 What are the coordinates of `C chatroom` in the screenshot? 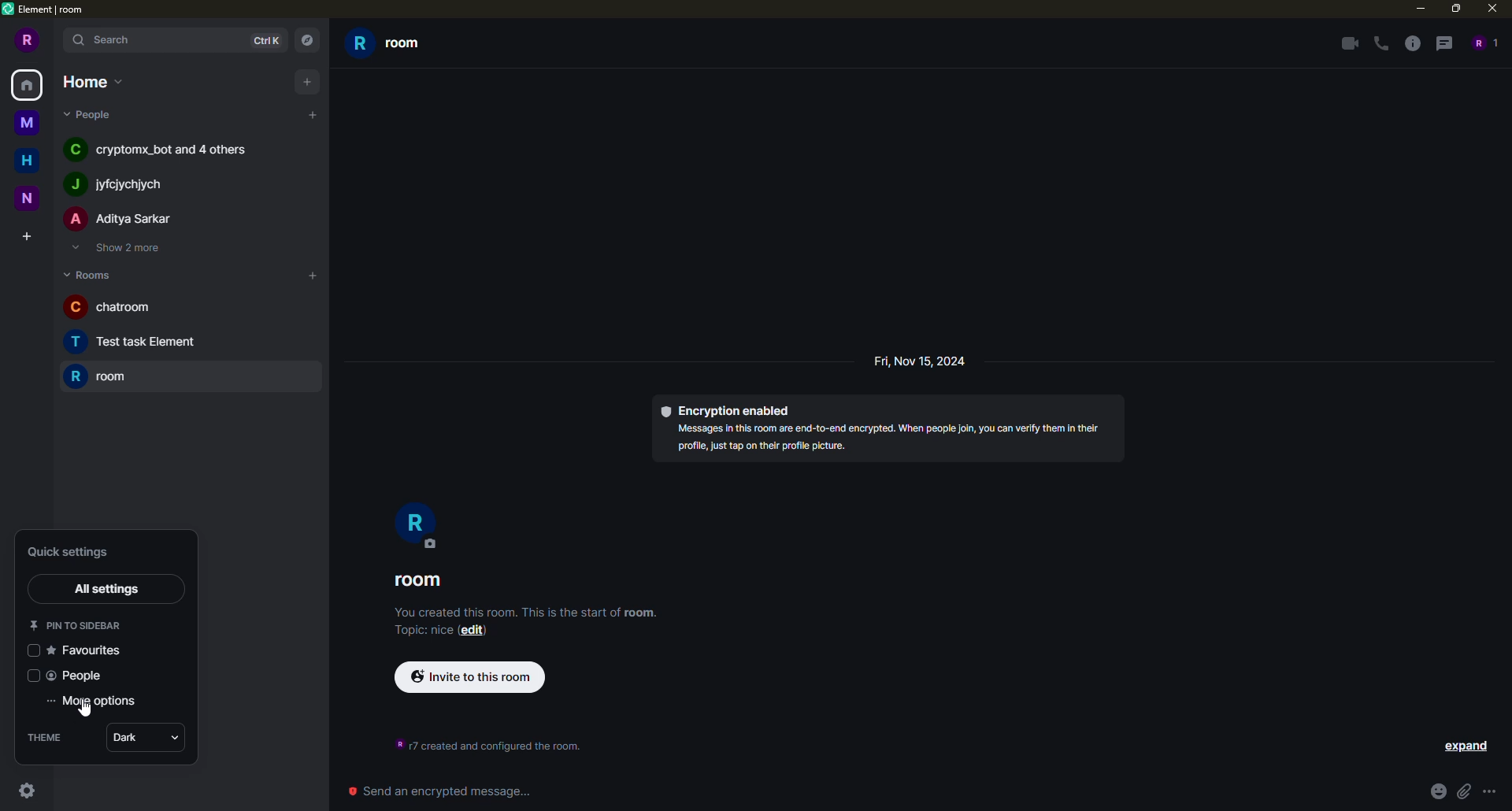 It's located at (135, 310).